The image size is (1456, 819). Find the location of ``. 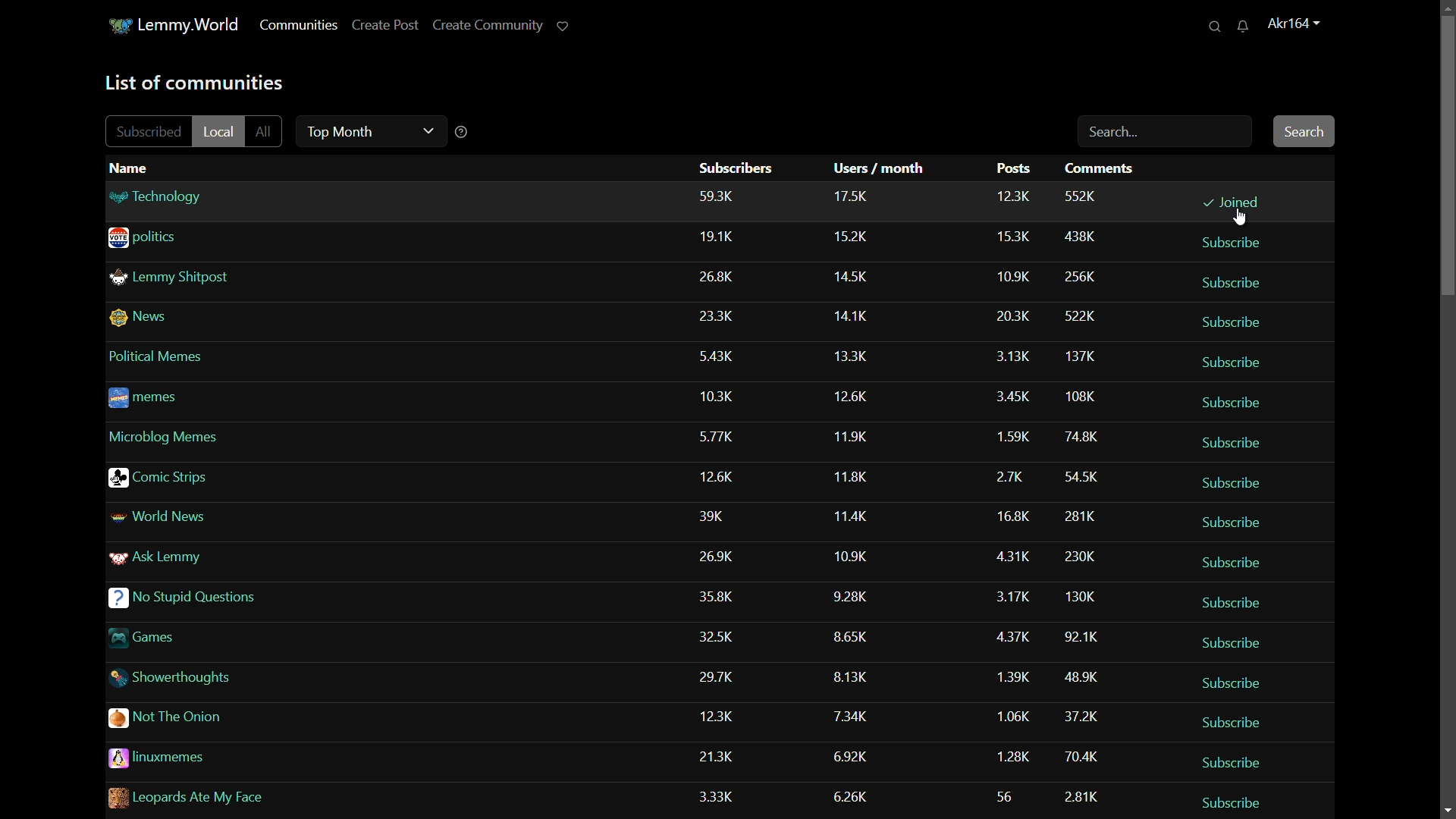

 is located at coordinates (271, 679).